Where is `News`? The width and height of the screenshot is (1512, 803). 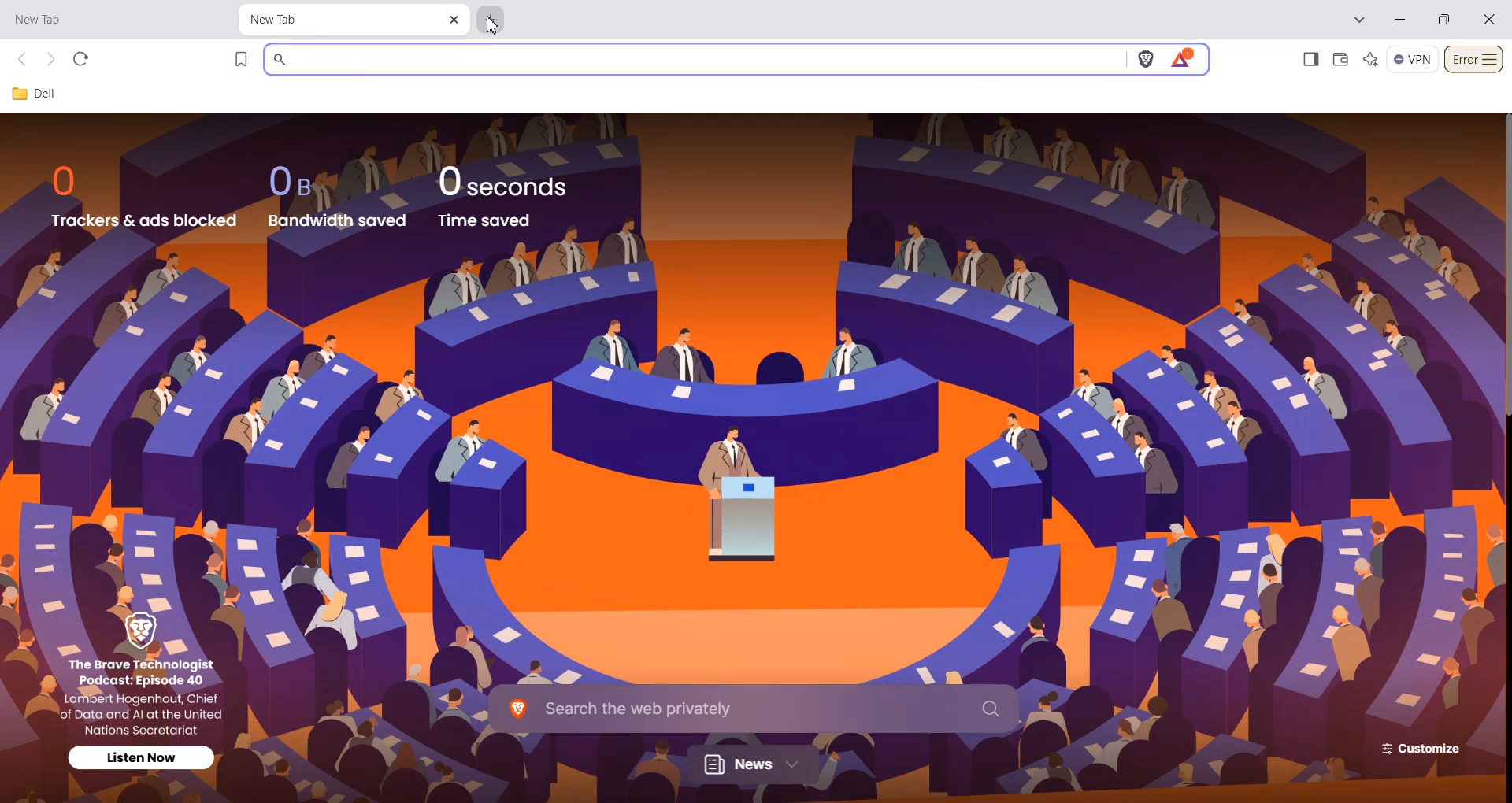
News is located at coordinates (755, 764).